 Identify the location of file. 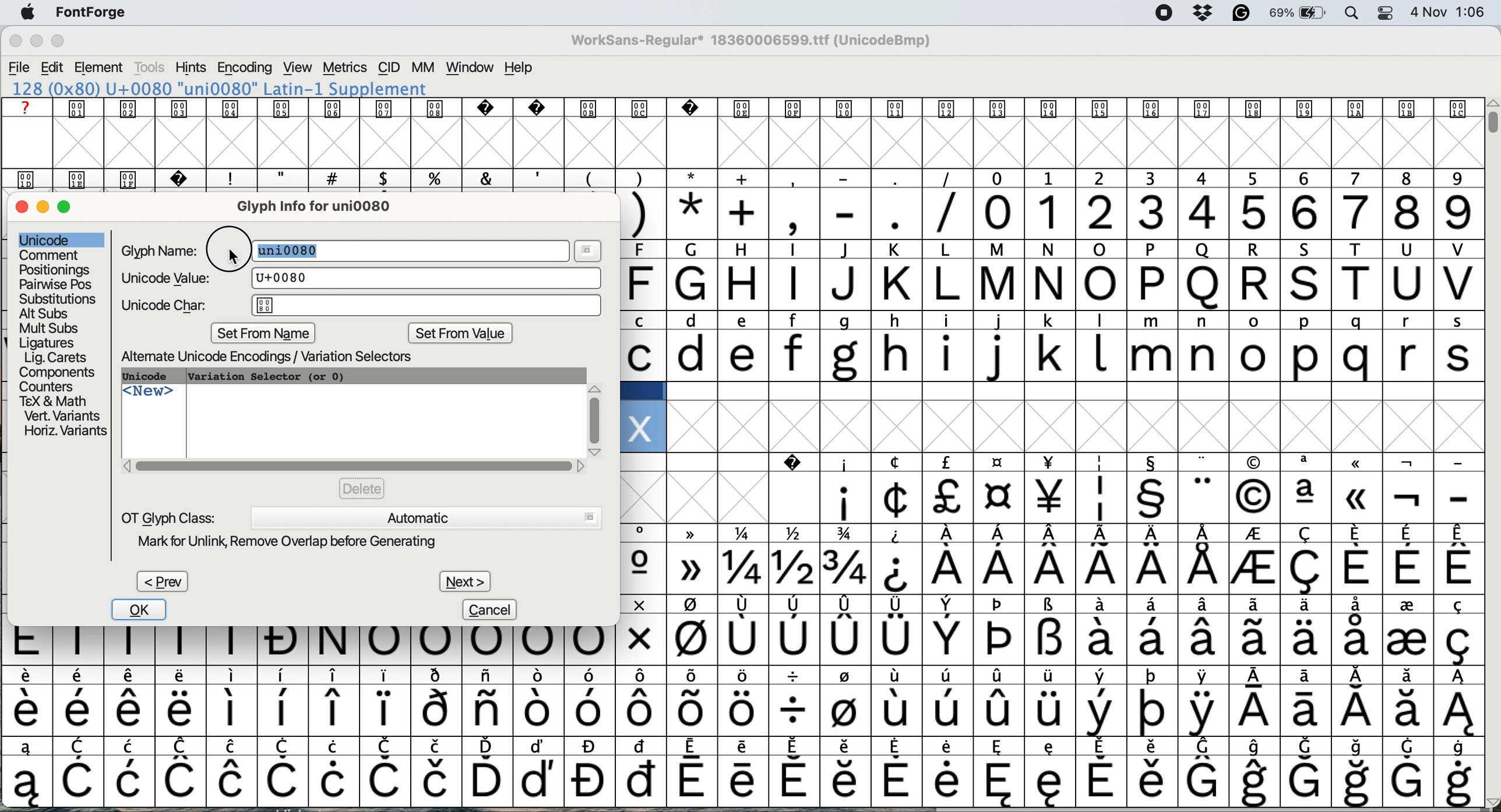
(19, 66).